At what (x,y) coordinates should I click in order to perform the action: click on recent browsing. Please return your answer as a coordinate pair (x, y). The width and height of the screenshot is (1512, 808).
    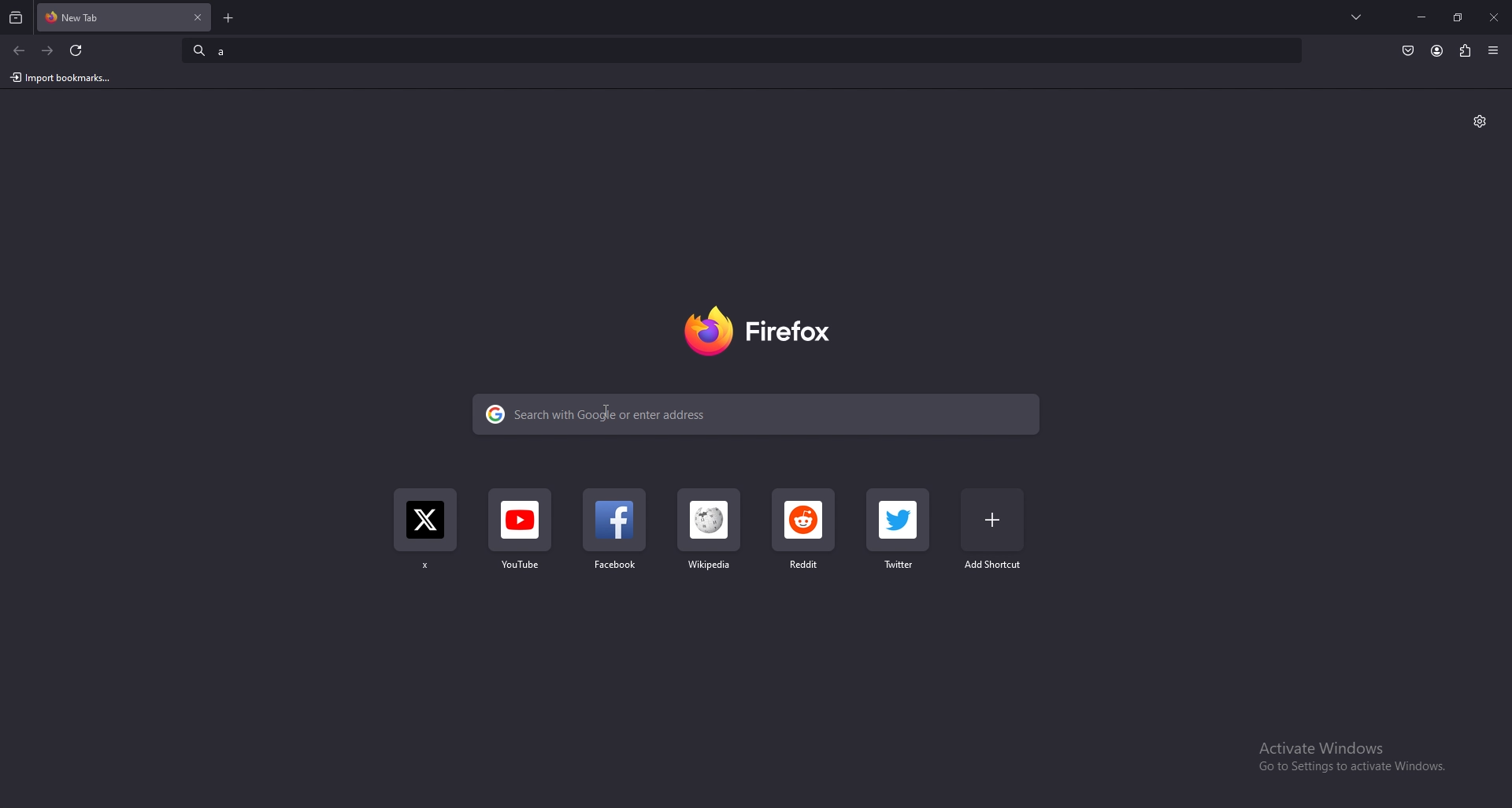
    Looking at the image, I should click on (17, 18).